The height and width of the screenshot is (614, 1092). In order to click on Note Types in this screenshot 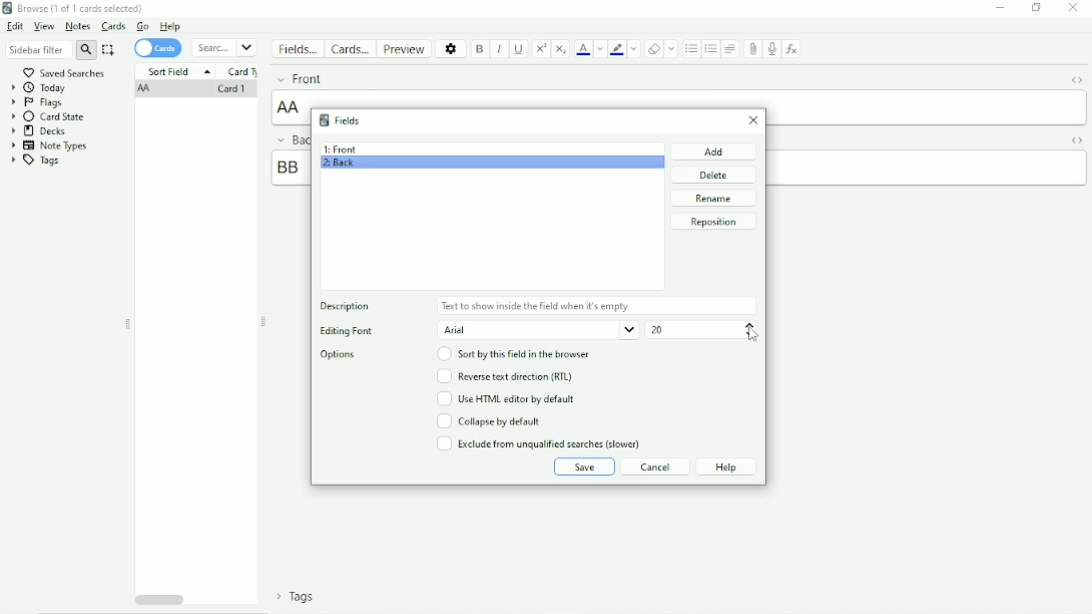, I will do `click(50, 146)`.